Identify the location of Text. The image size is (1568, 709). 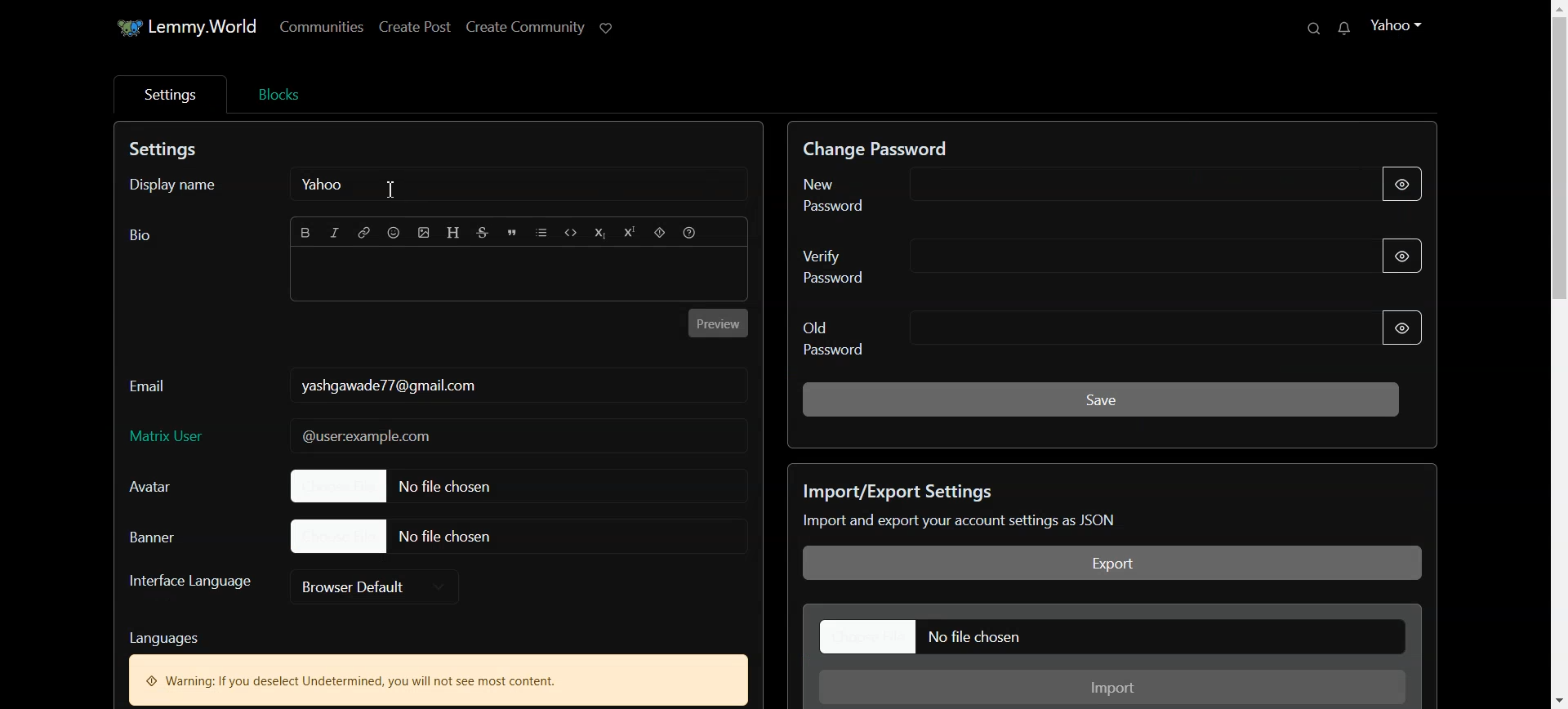
(886, 145).